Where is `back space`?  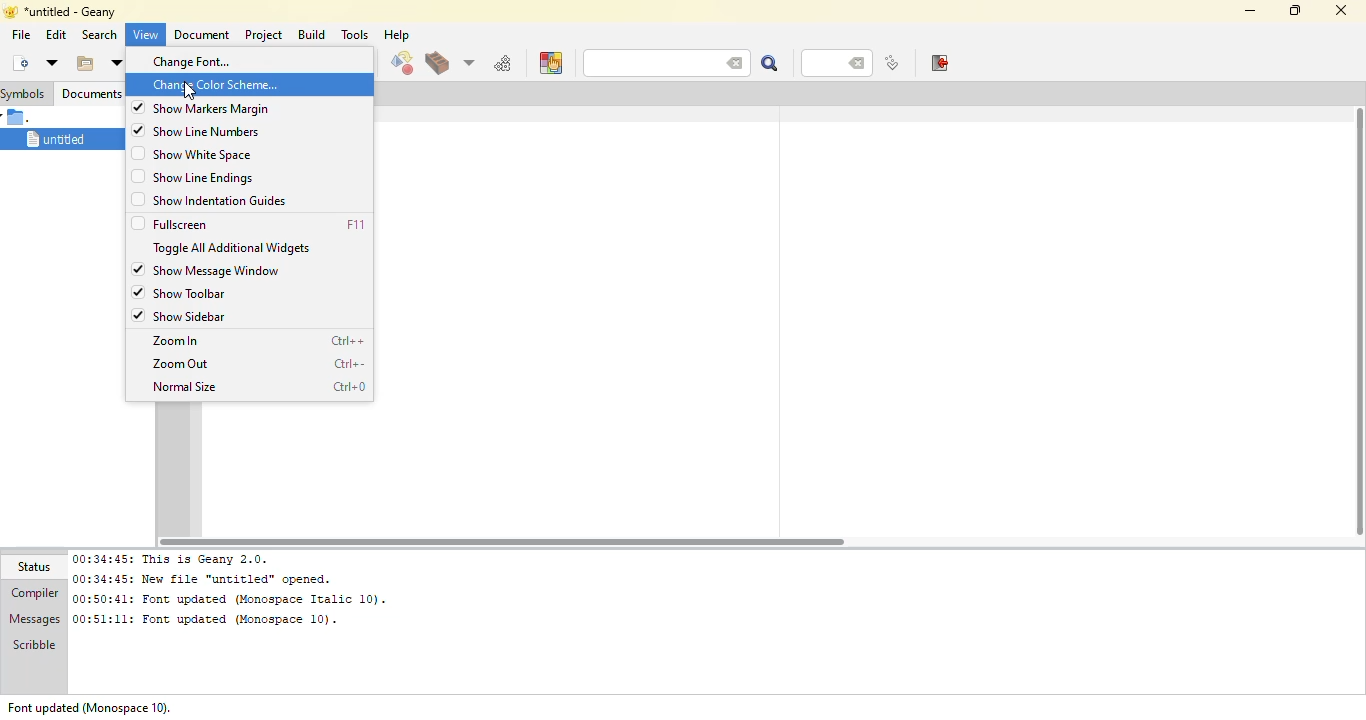
back space is located at coordinates (859, 64).